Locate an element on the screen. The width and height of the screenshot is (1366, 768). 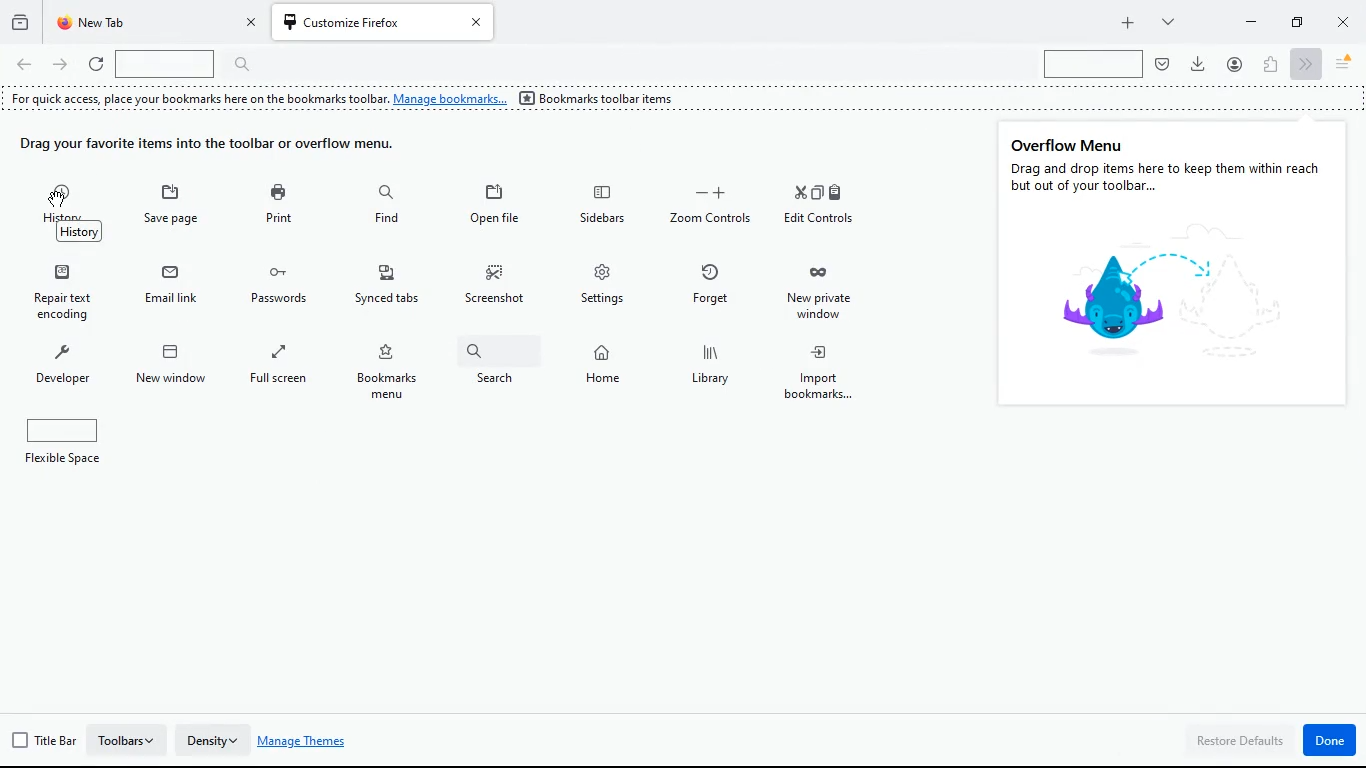
tab is located at coordinates (156, 23).